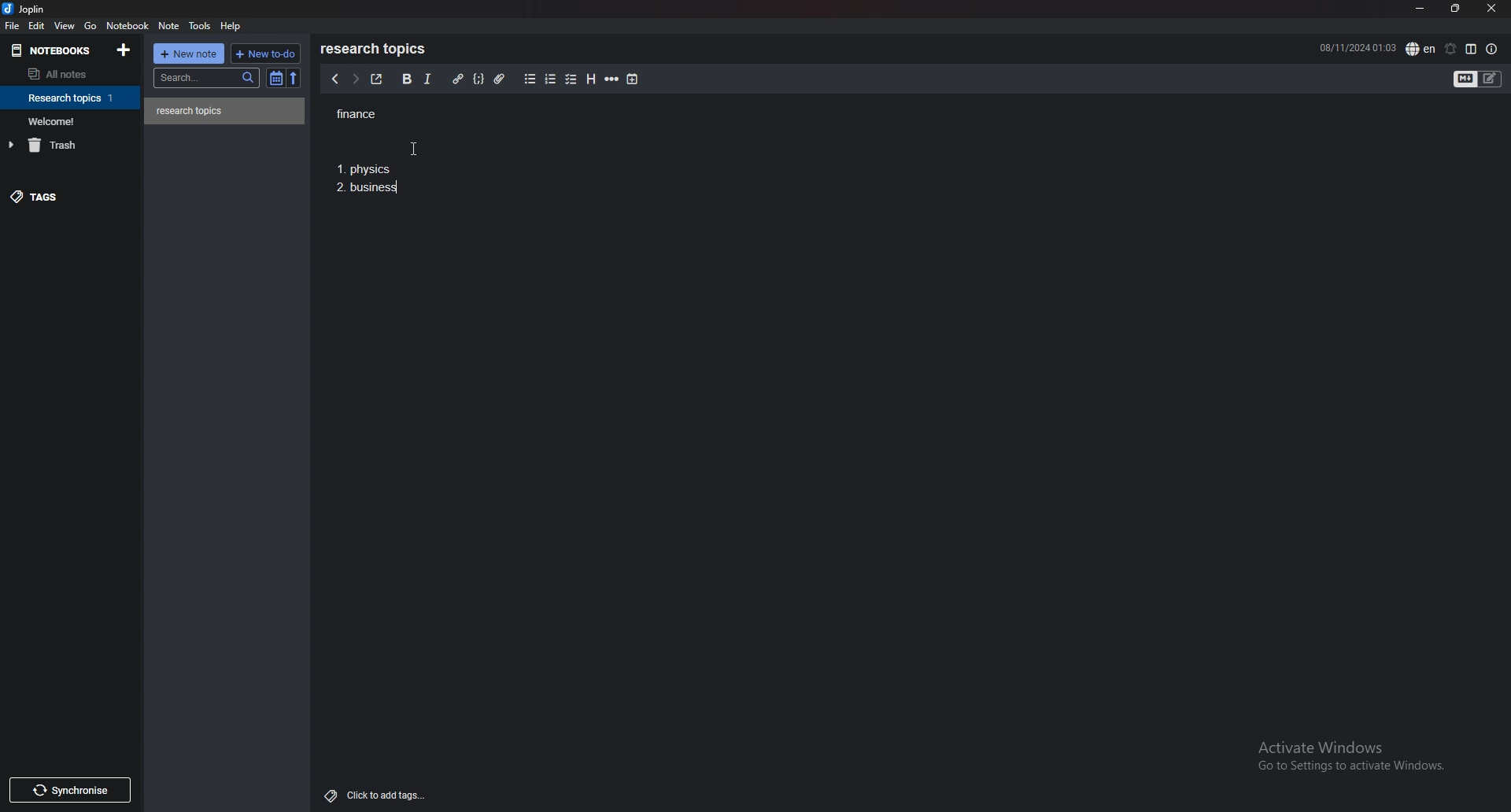 The image size is (1511, 812). What do you see at coordinates (375, 113) in the screenshot?
I see ` finance` at bounding box center [375, 113].